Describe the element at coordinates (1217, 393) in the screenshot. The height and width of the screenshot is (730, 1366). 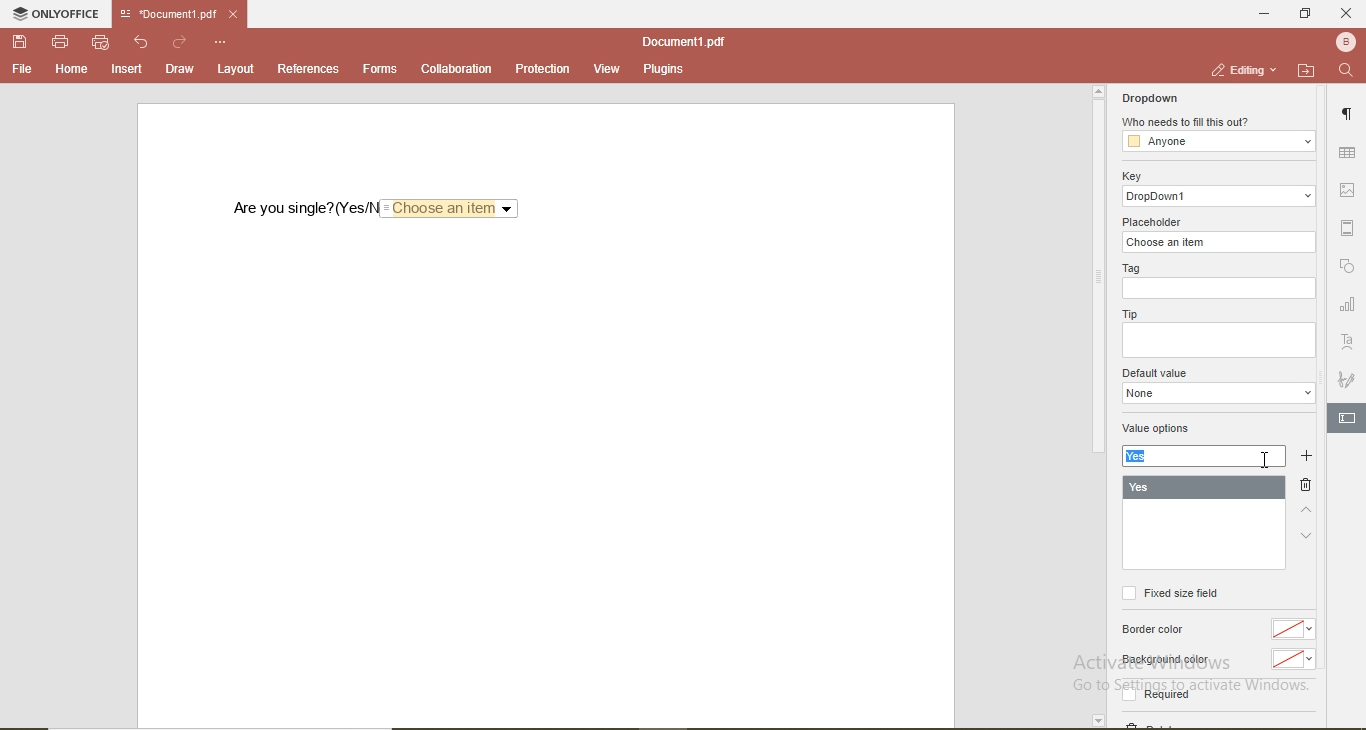
I see `dropdown` at that location.